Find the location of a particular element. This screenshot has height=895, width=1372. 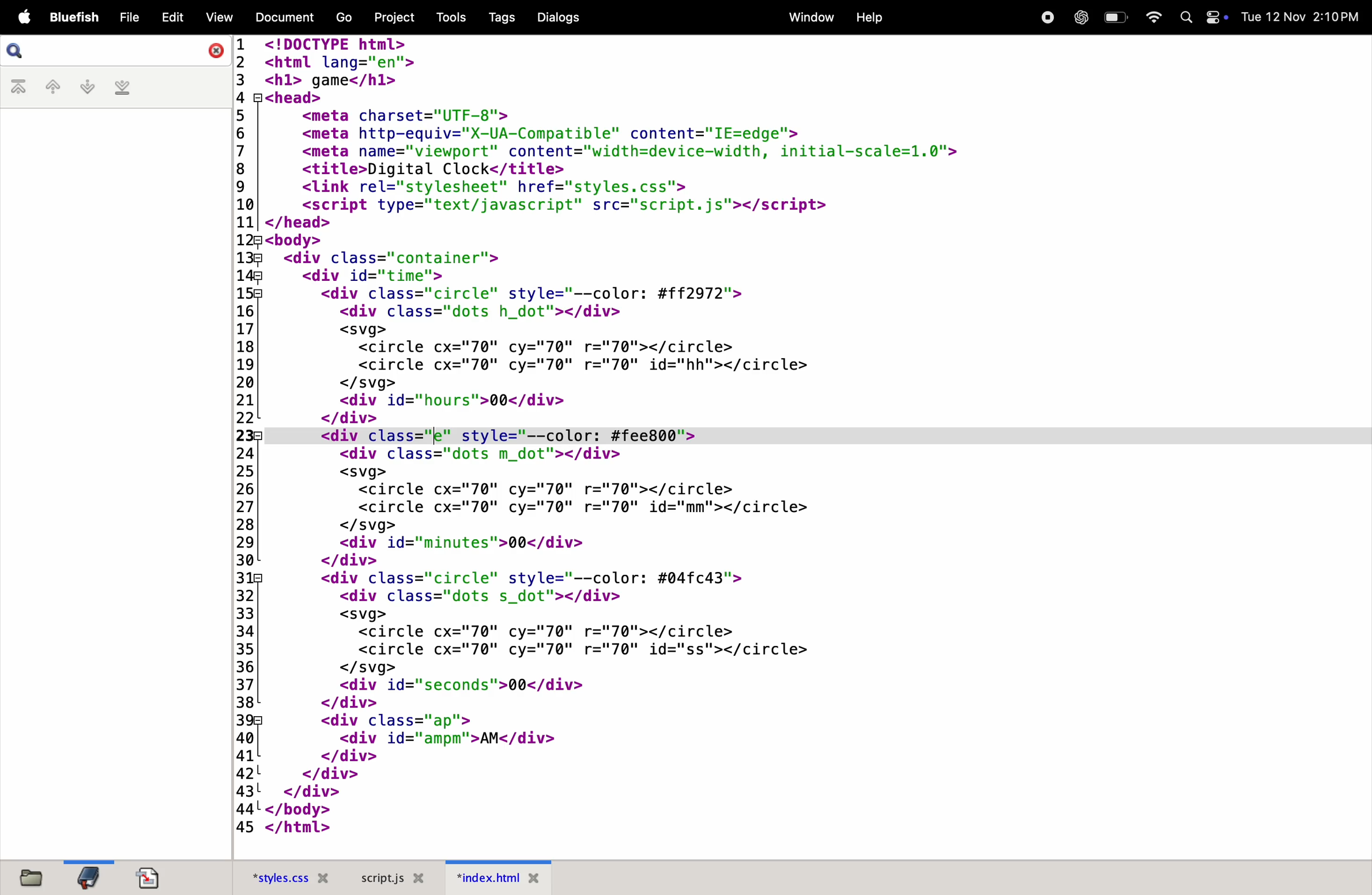

Line 23 code is located at coordinates (680, 434).